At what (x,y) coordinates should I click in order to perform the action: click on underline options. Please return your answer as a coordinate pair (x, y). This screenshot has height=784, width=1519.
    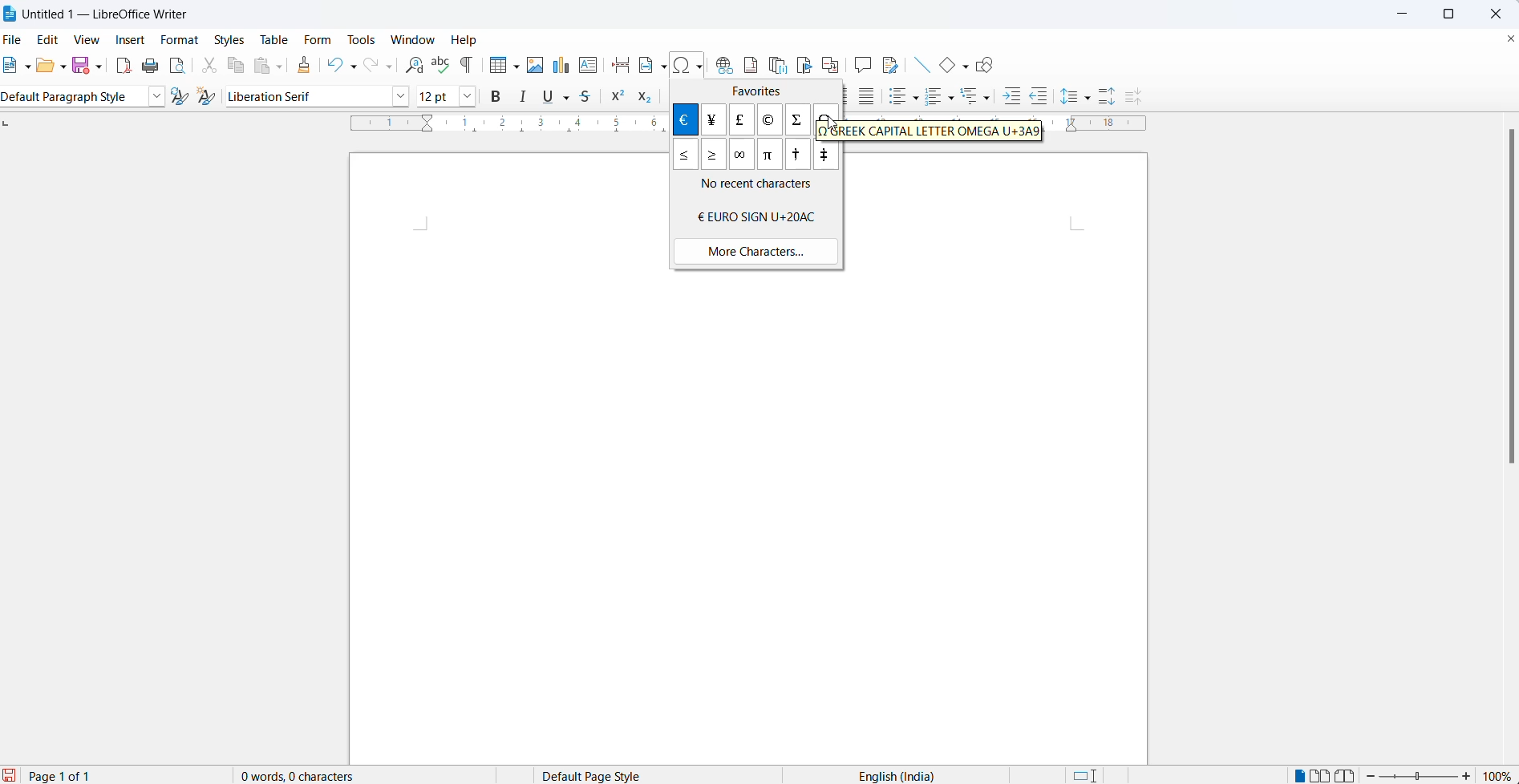
    Looking at the image, I should click on (569, 98).